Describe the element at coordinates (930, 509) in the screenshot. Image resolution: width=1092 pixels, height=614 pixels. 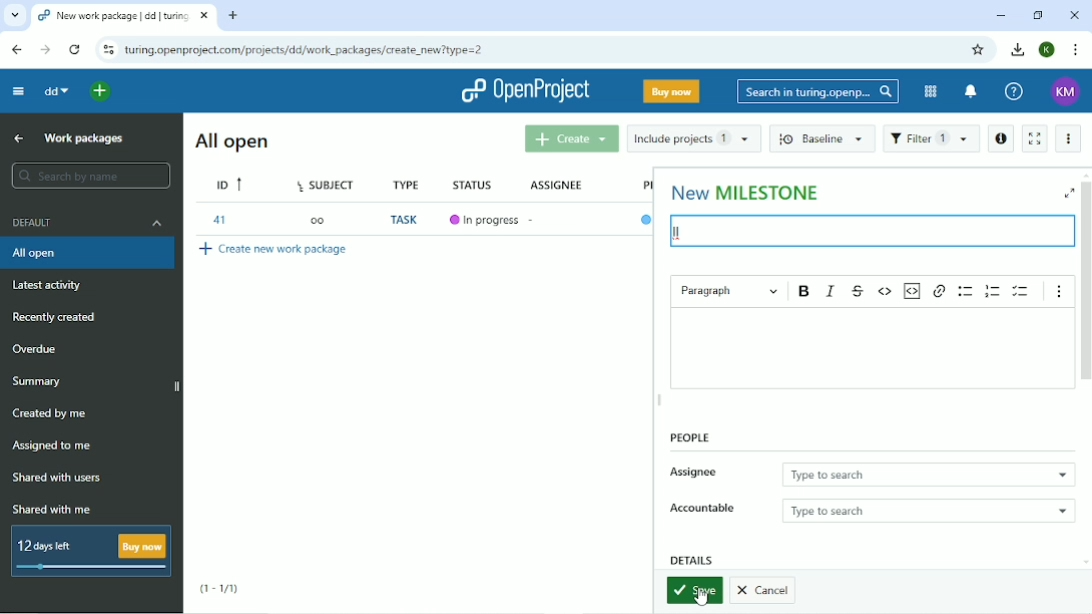
I see `type to search` at that location.